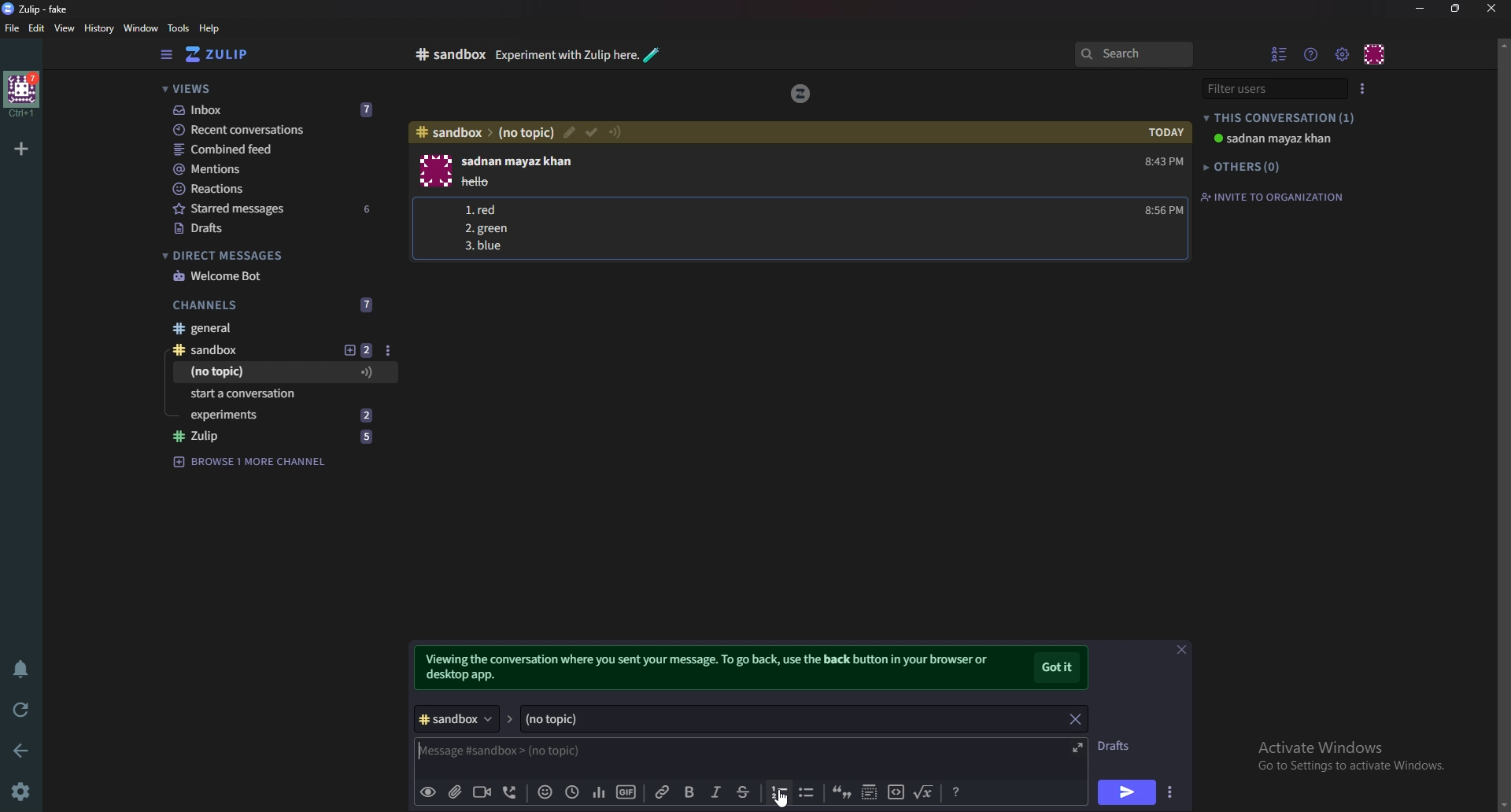  What do you see at coordinates (596, 792) in the screenshot?
I see `poll` at bounding box center [596, 792].